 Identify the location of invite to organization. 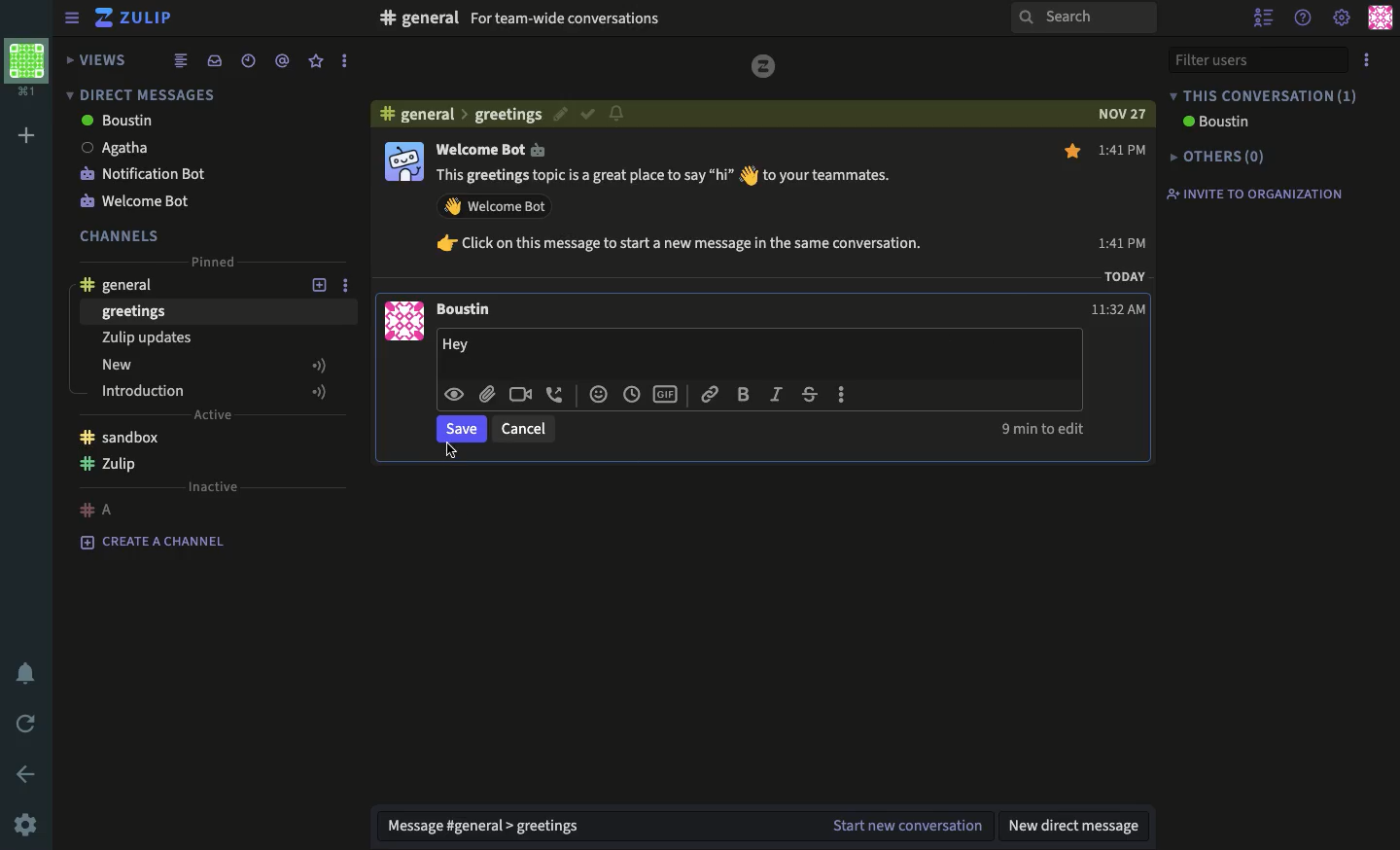
(1256, 193).